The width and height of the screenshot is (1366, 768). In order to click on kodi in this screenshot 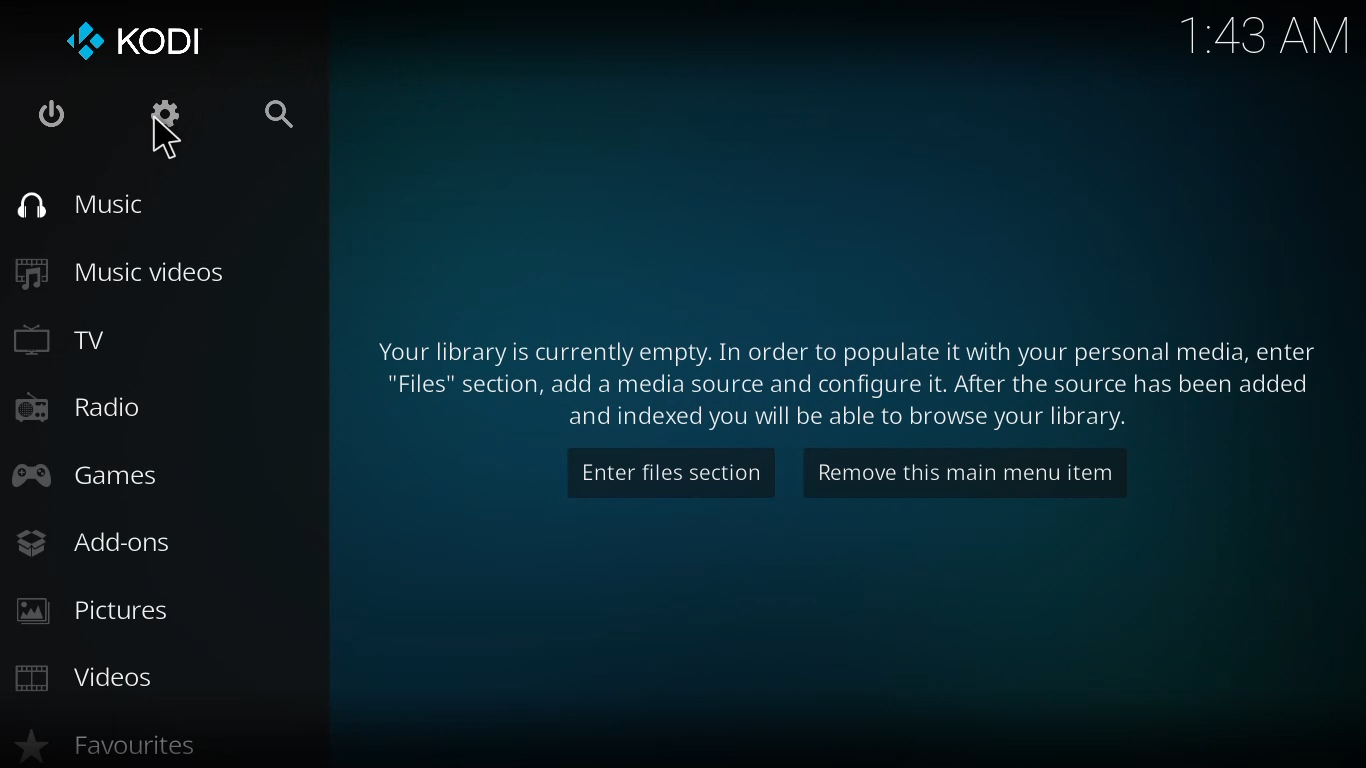, I will do `click(133, 40)`.